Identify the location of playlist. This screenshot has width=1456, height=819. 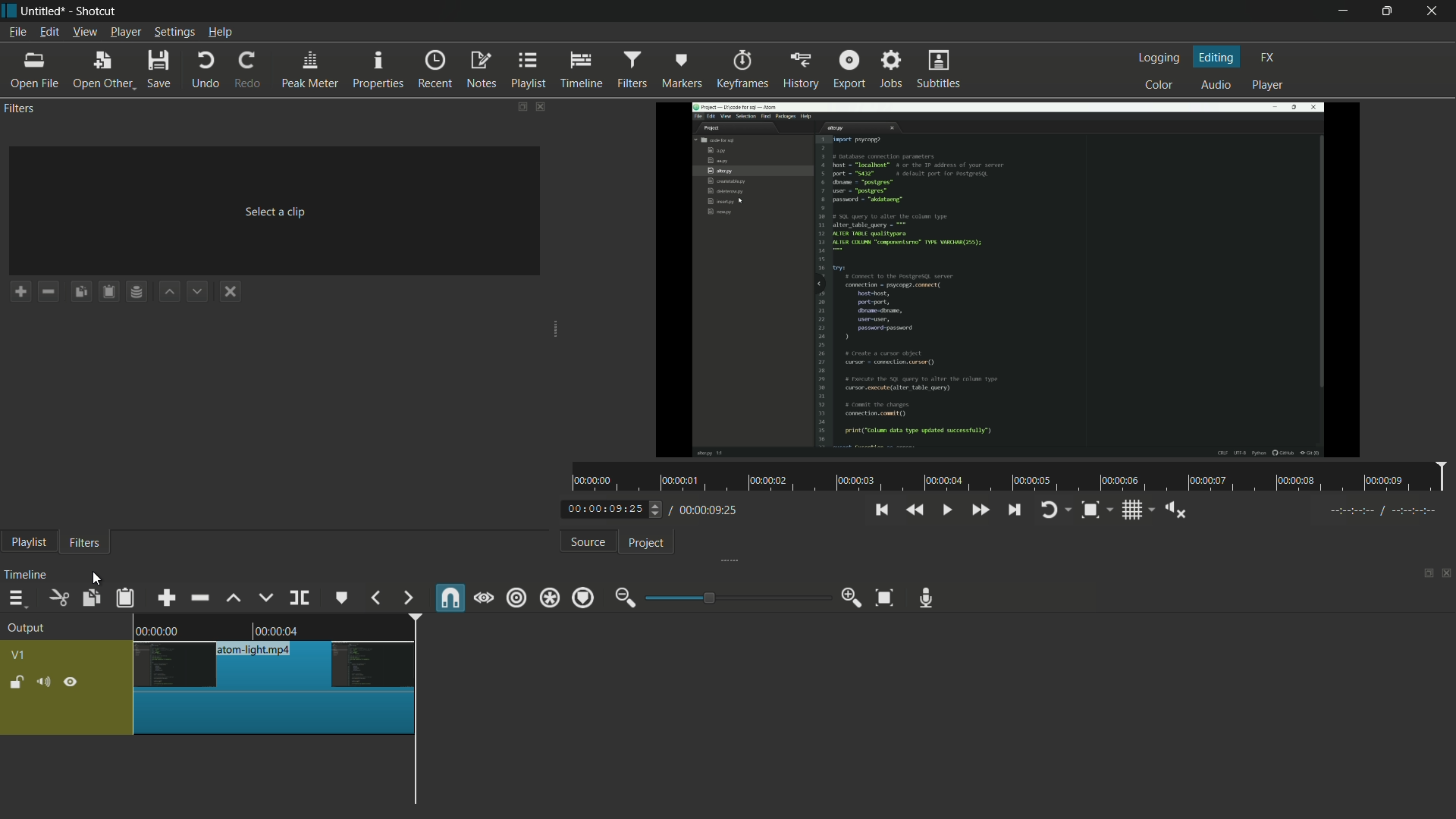
(28, 544).